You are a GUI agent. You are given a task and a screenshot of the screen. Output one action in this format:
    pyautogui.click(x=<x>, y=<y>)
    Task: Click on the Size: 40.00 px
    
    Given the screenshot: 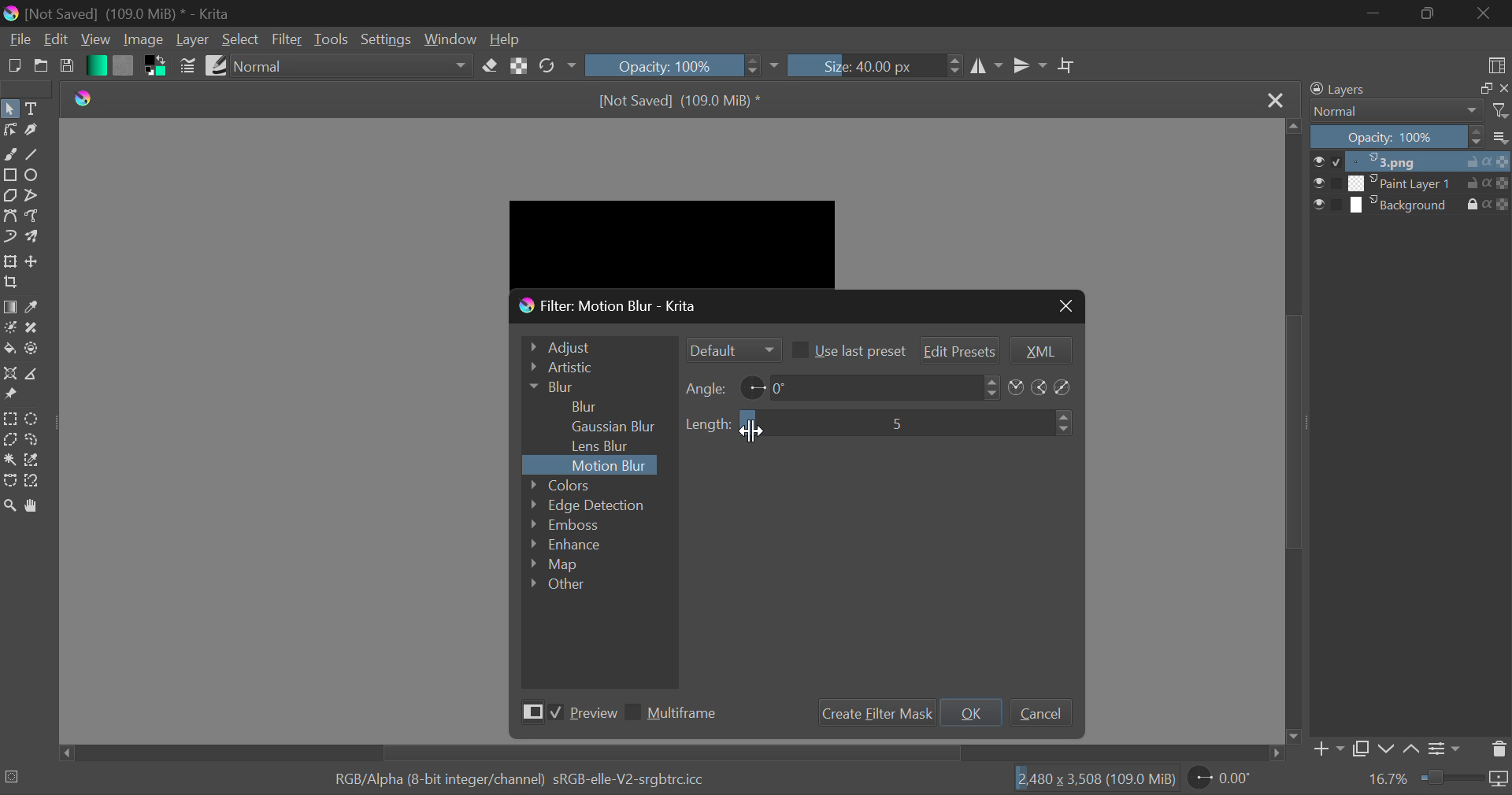 What is the action you would take?
    pyautogui.click(x=863, y=66)
    